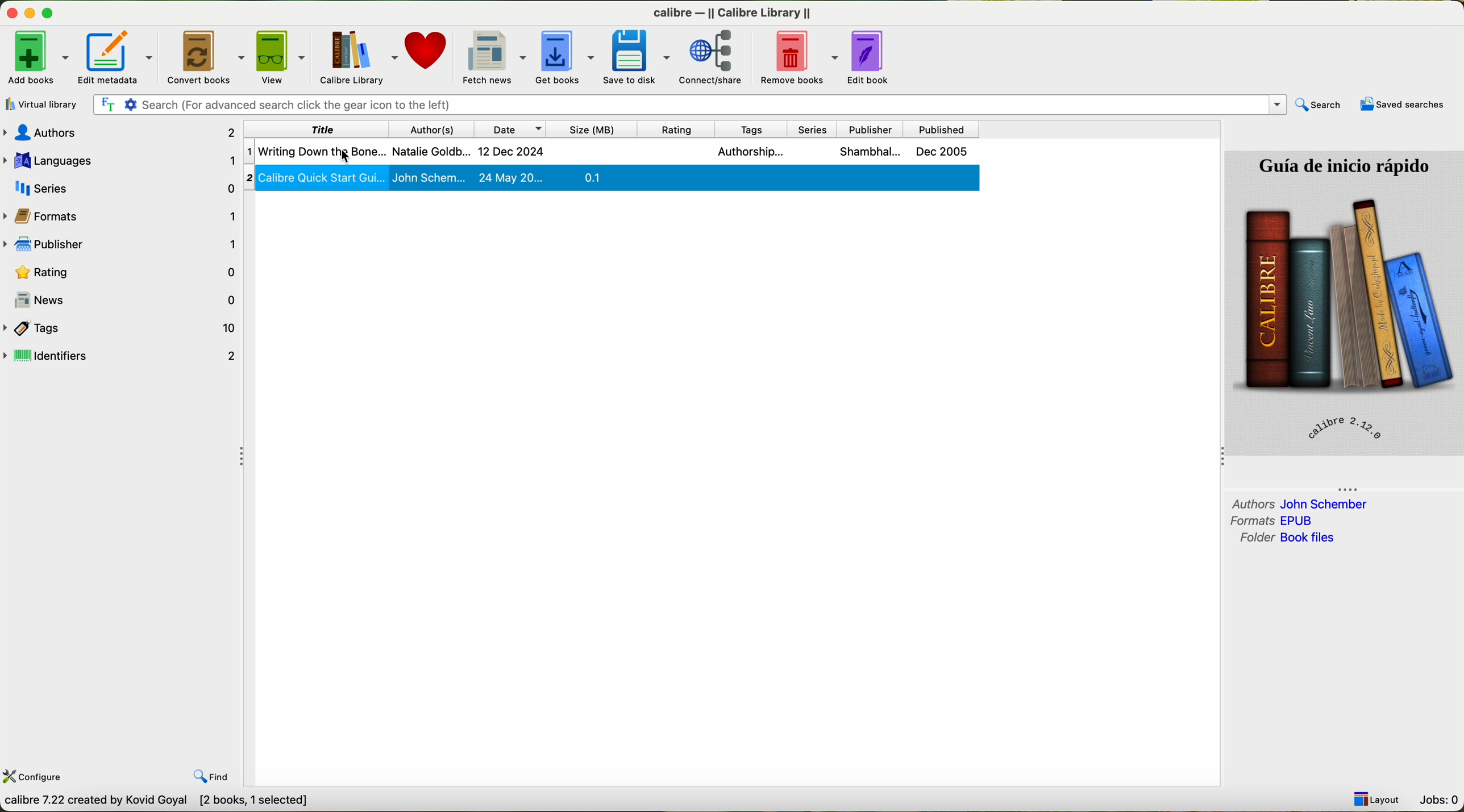 The image size is (1464, 812). Describe the element at coordinates (747, 130) in the screenshot. I see `tags` at that location.